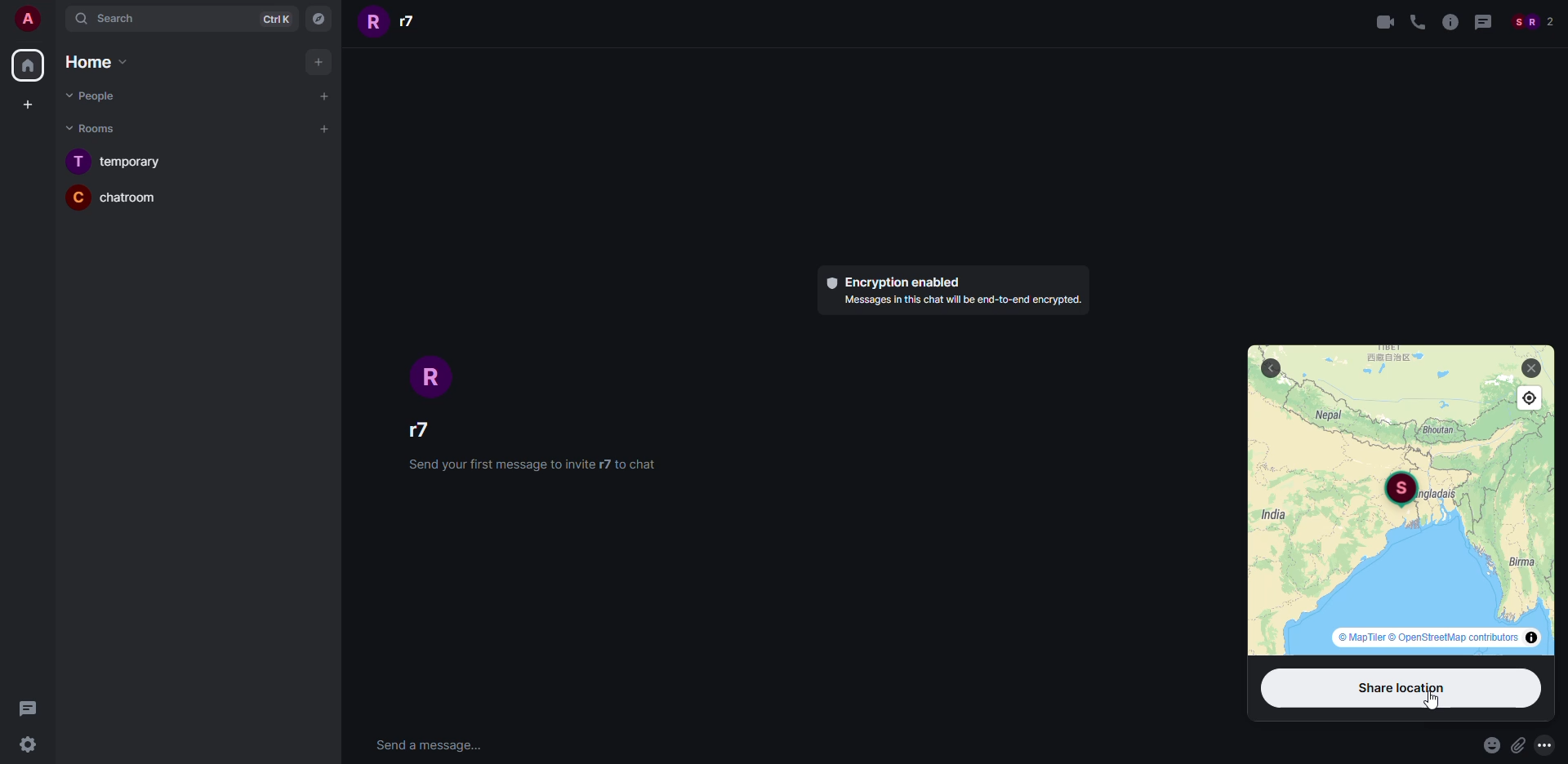 Image resolution: width=1568 pixels, height=764 pixels. I want to click on share location, so click(1404, 688).